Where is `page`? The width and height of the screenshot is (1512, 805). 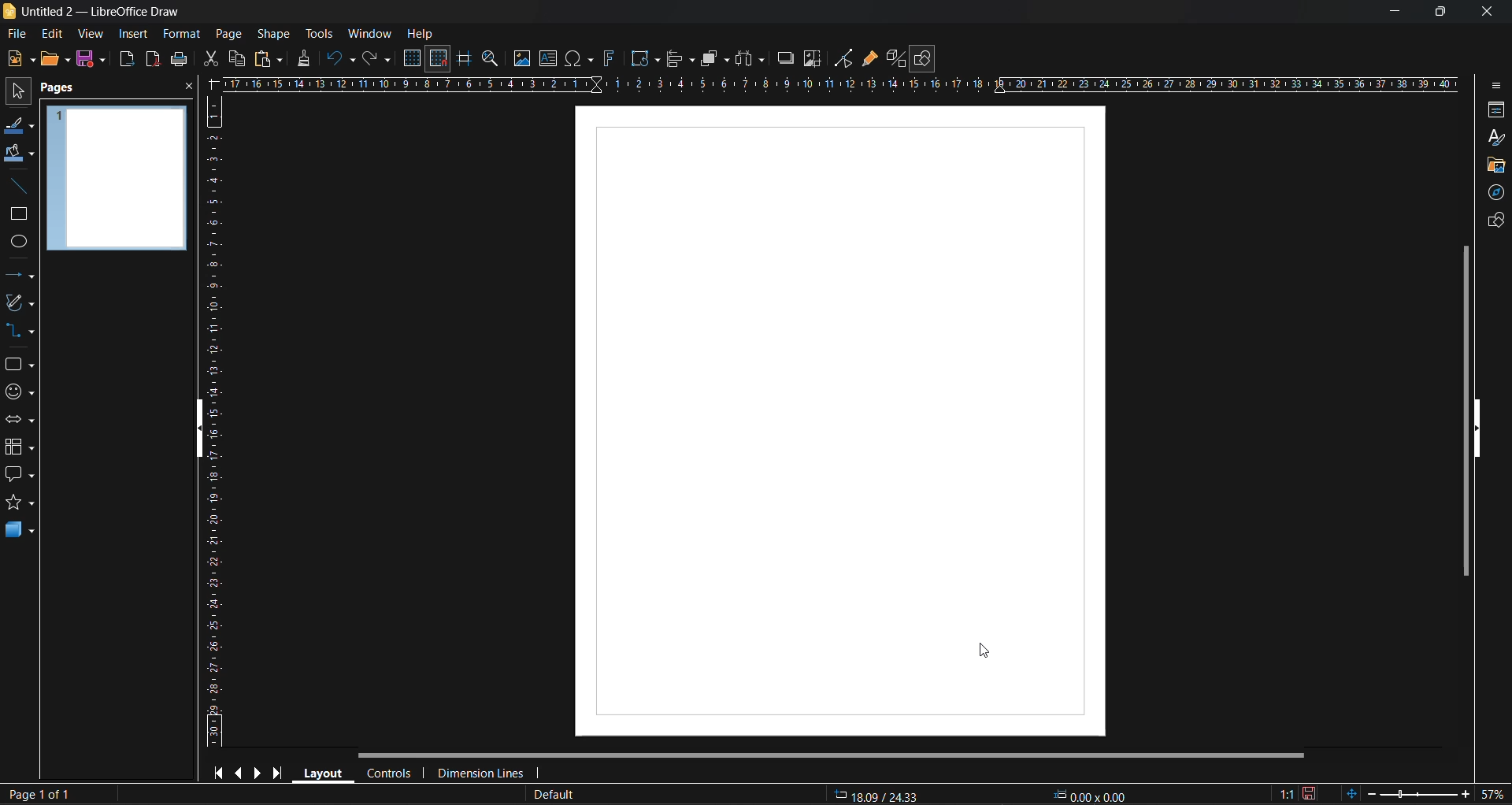
page is located at coordinates (232, 33).